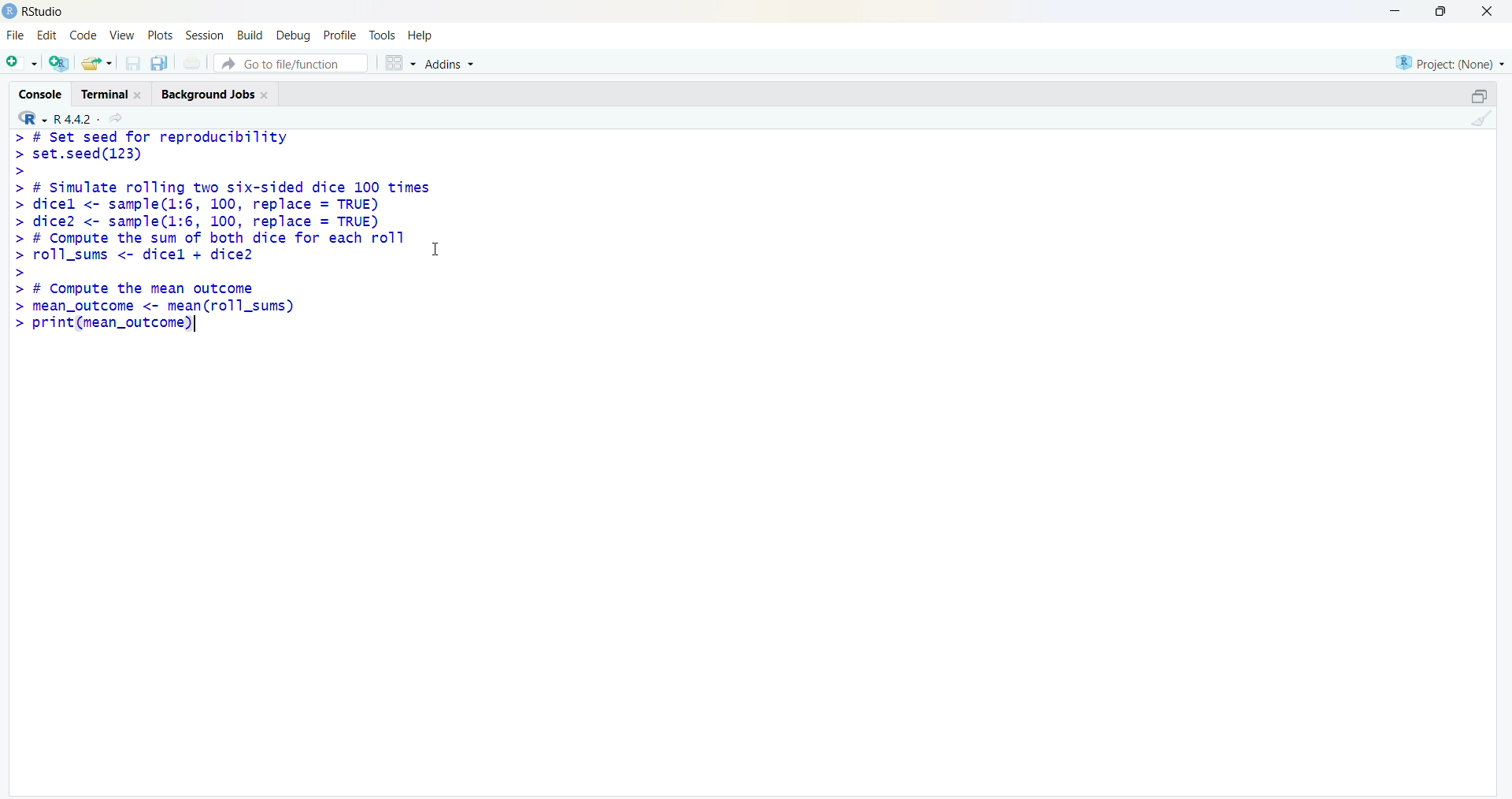  What do you see at coordinates (1488, 10) in the screenshot?
I see `close` at bounding box center [1488, 10].